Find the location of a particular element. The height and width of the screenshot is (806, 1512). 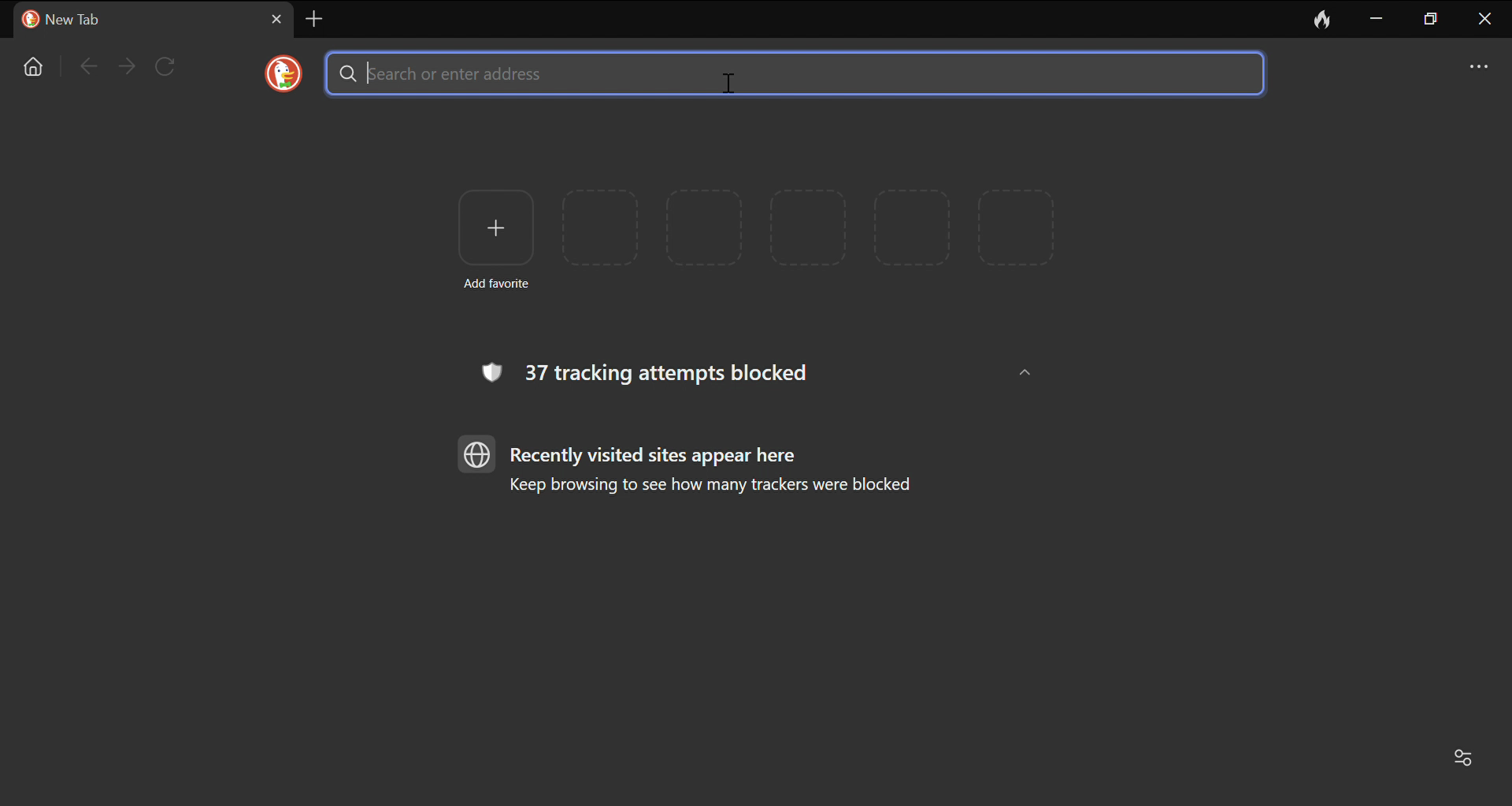

Home is located at coordinates (35, 67).